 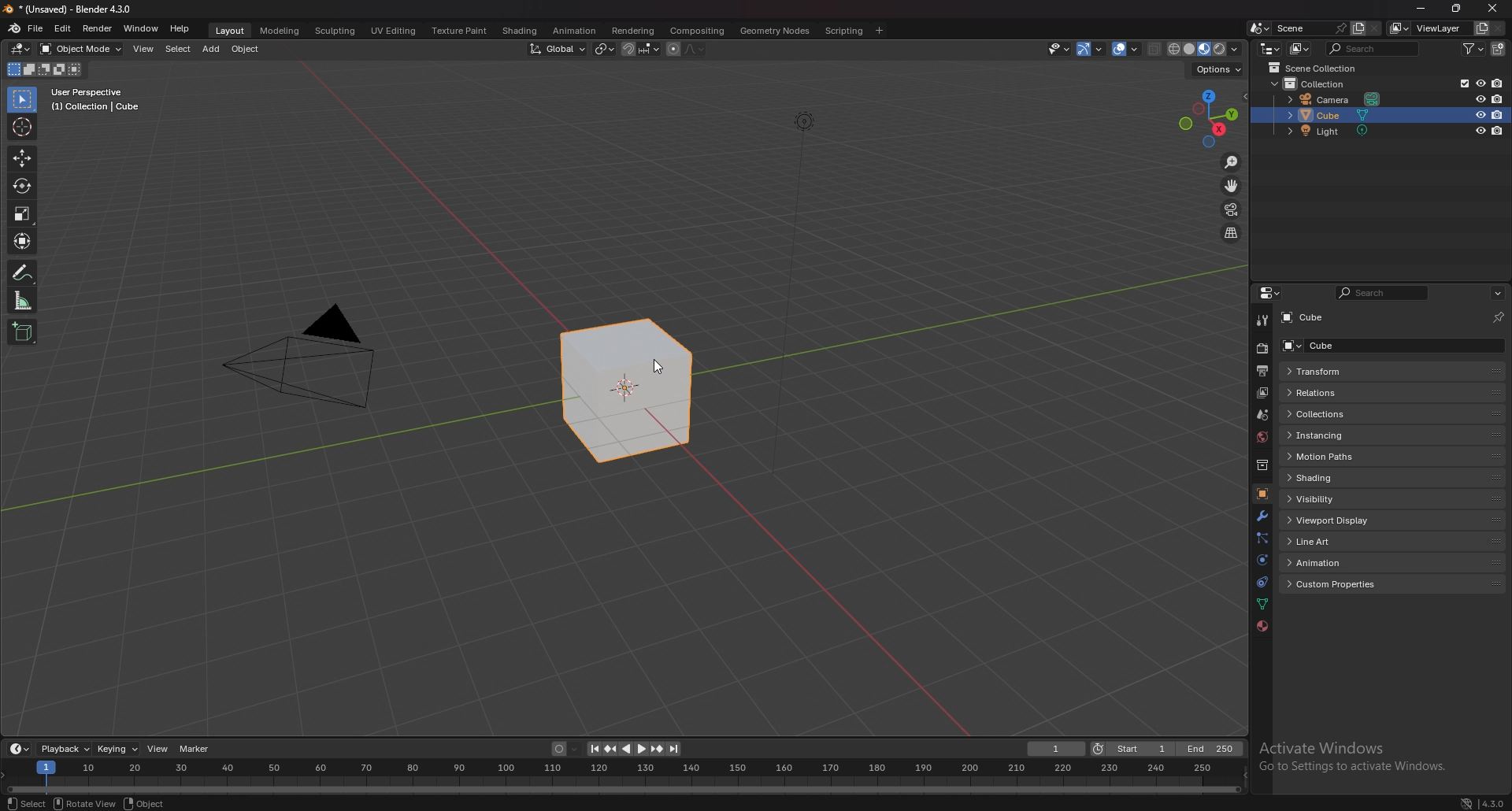 What do you see at coordinates (97, 28) in the screenshot?
I see `render` at bounding box center [97, 28].